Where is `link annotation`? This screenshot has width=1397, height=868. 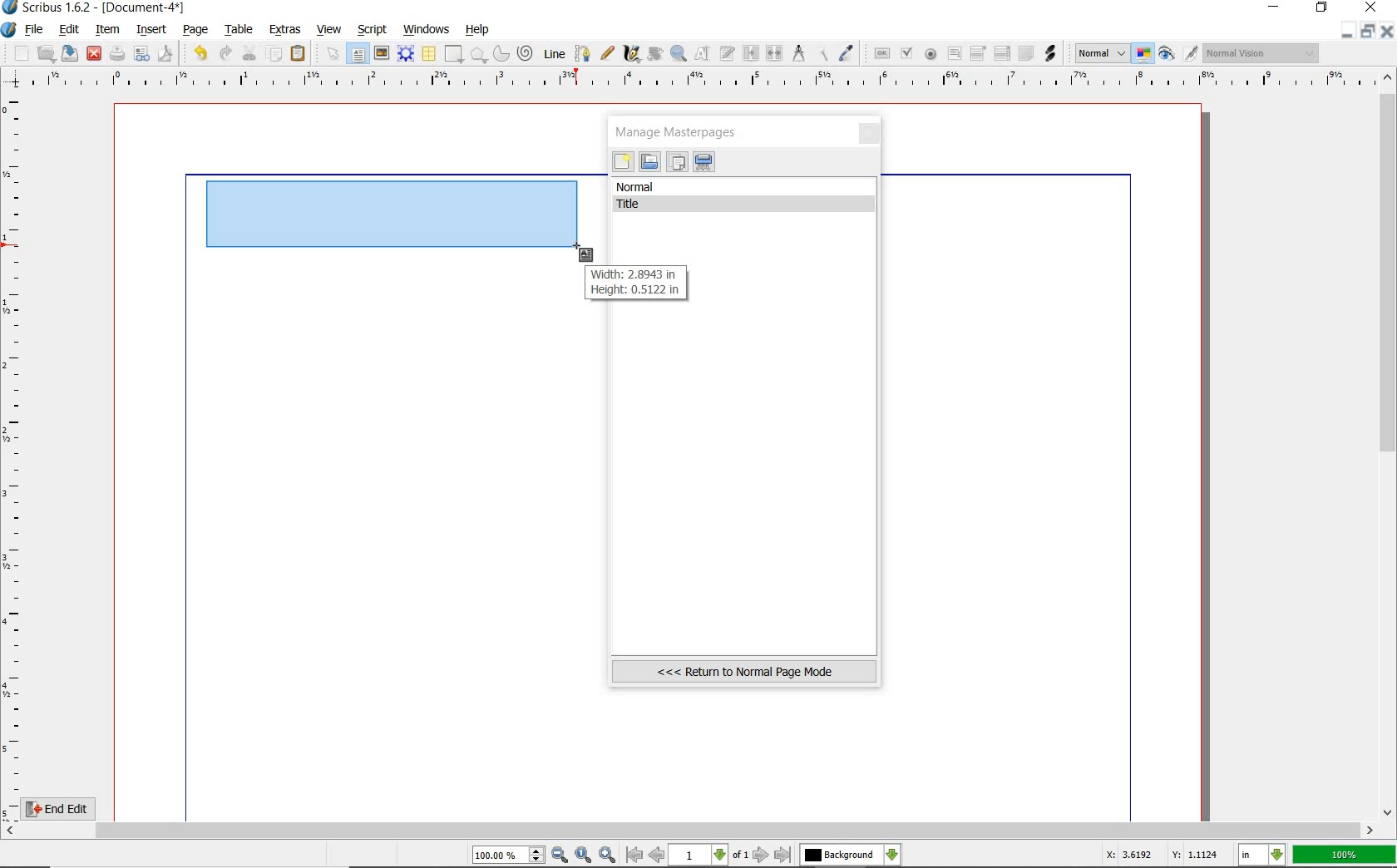 link annotation is located at coordinates (1050, 52).